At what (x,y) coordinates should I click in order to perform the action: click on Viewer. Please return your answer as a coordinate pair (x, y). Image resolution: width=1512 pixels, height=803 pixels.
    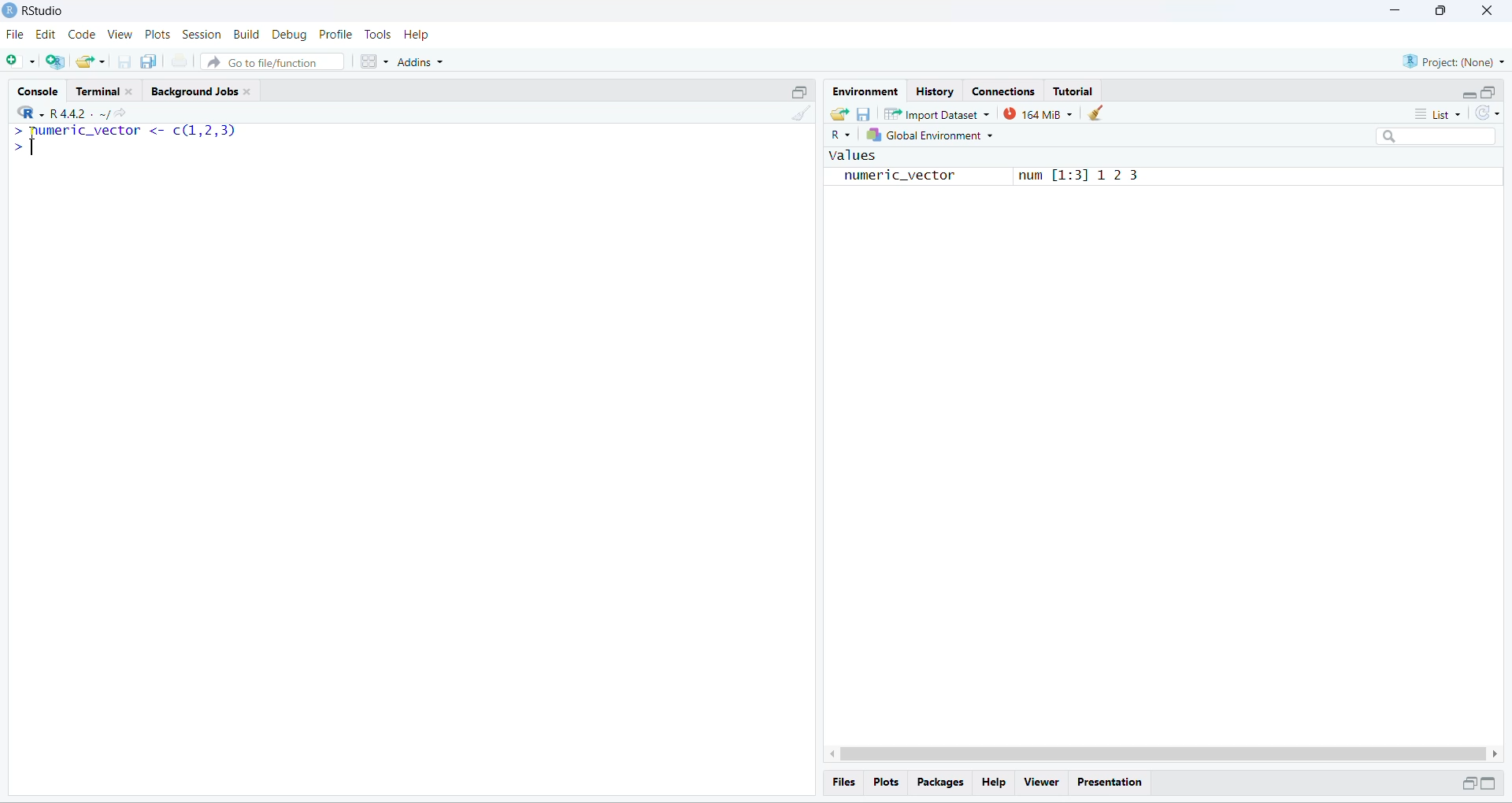
    Looking at the image, I should click on (1042, 783).